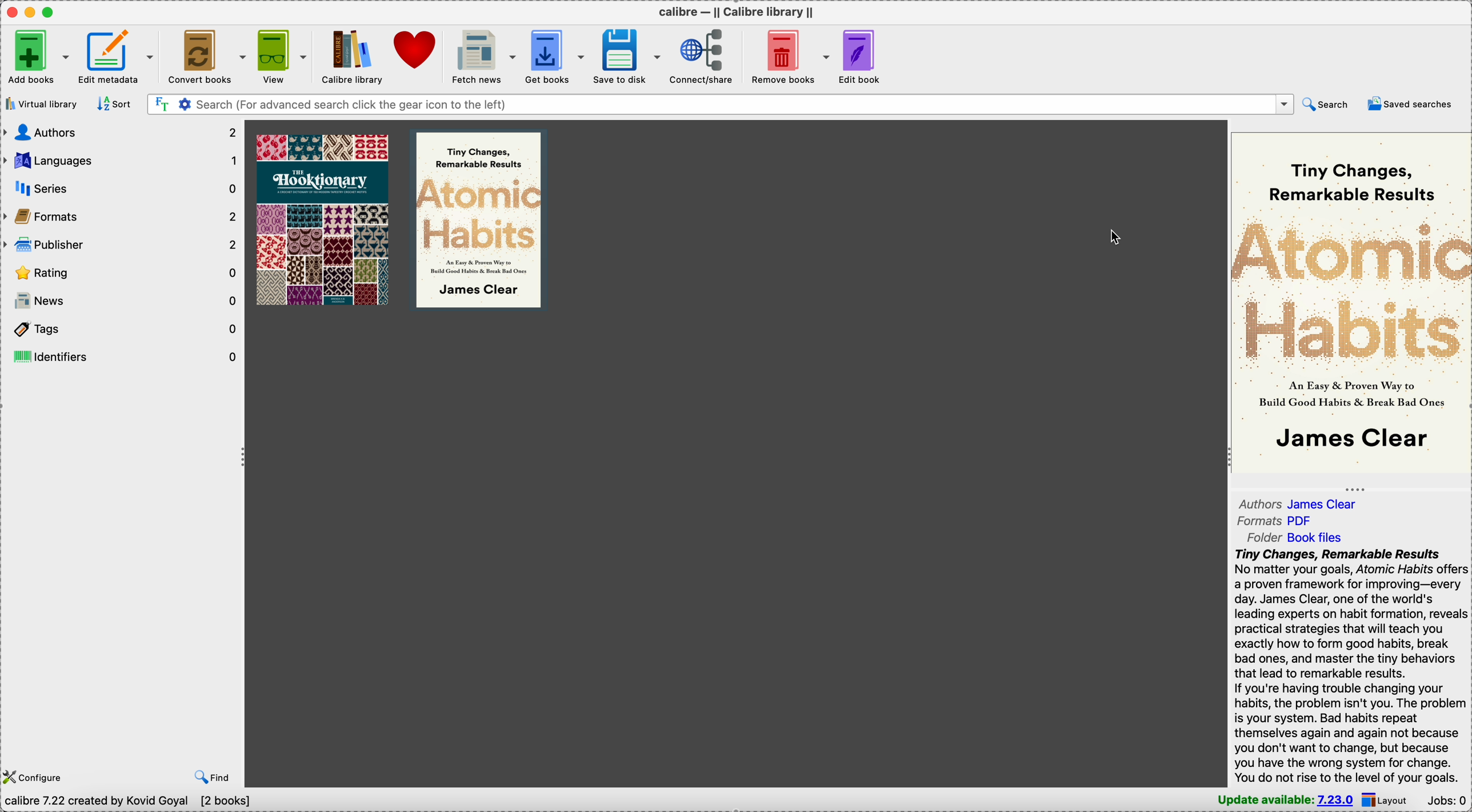 This screenshot has height=812, width=1472. I want to click on tiny changes, remarkable results, so click(1351, 182).